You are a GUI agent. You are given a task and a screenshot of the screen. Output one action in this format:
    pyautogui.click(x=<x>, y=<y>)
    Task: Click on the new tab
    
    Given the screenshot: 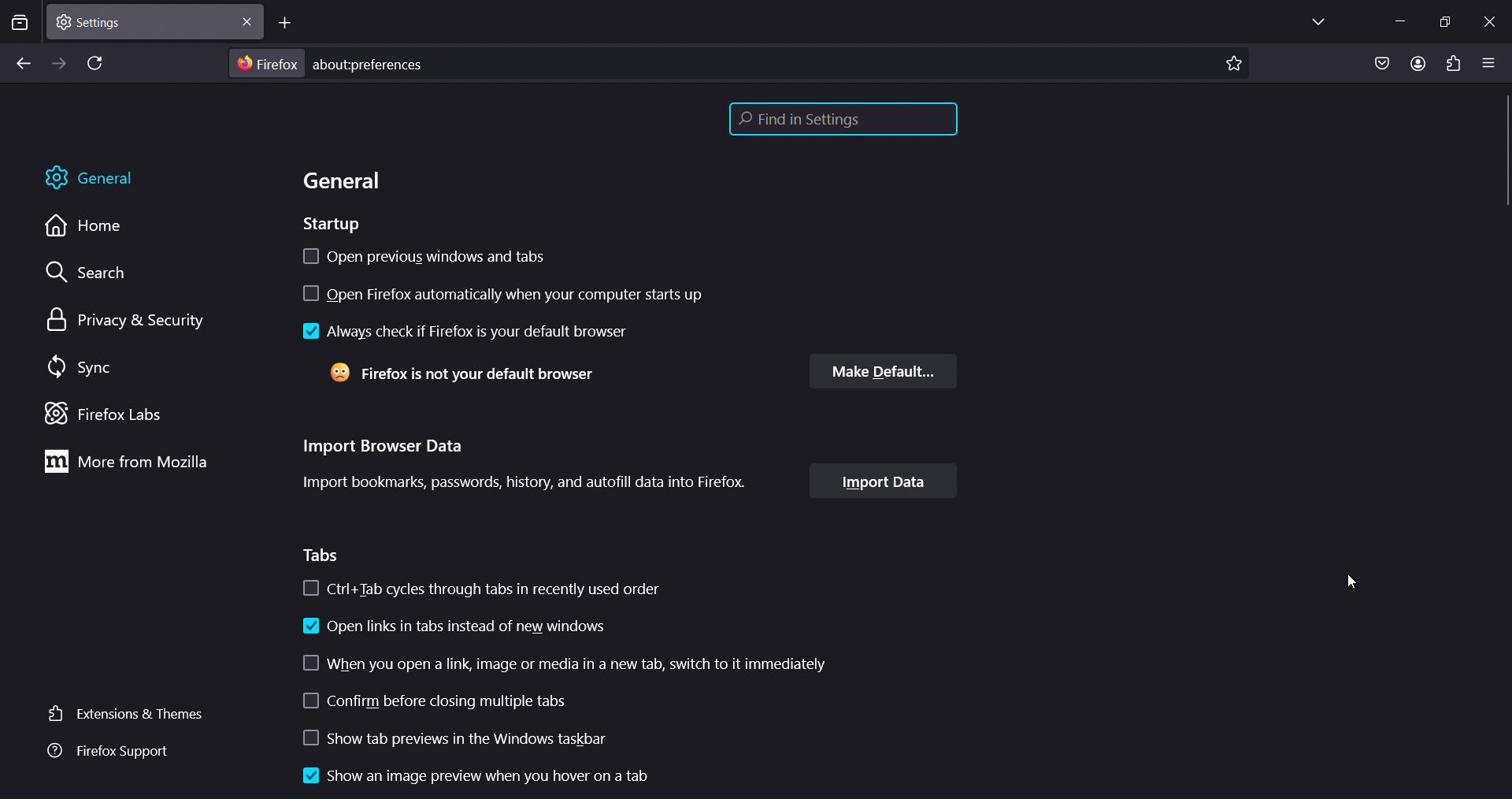 What is the action you would take?
    pyautogui.click(x=283, y=25)
    